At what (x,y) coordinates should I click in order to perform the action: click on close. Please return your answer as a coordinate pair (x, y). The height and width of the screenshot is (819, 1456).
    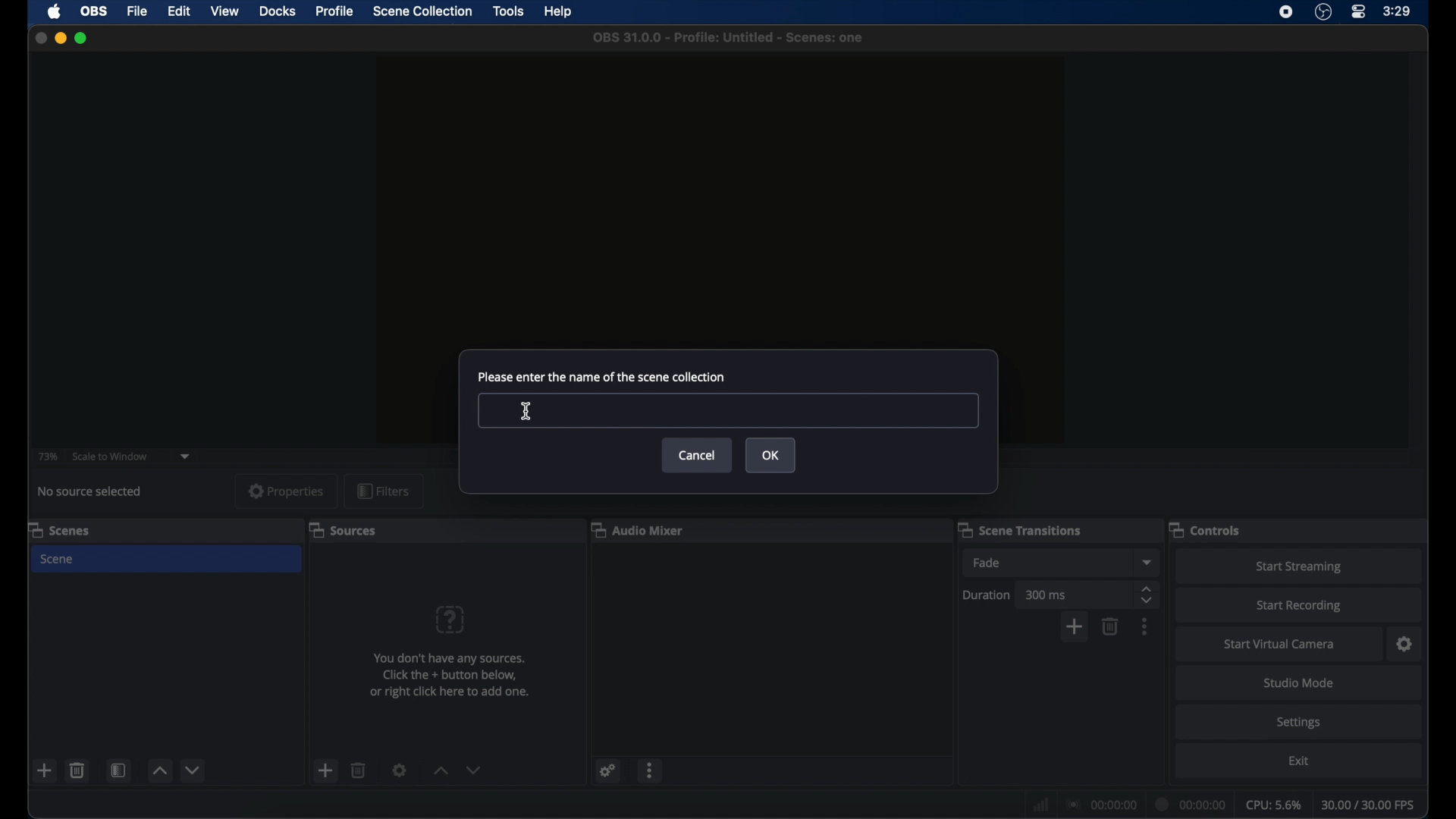
    Looking at the image, I should click on (40, 39).